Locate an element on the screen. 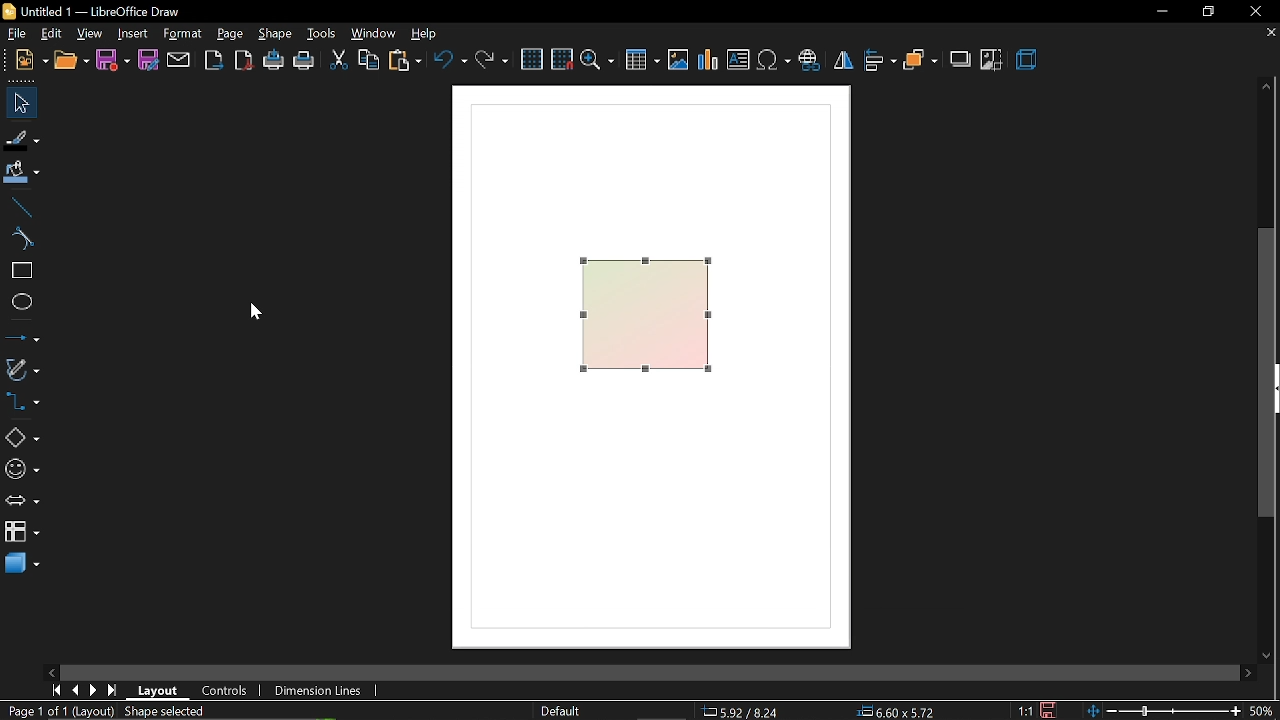  restore down is located at coordinates (1207, 11).